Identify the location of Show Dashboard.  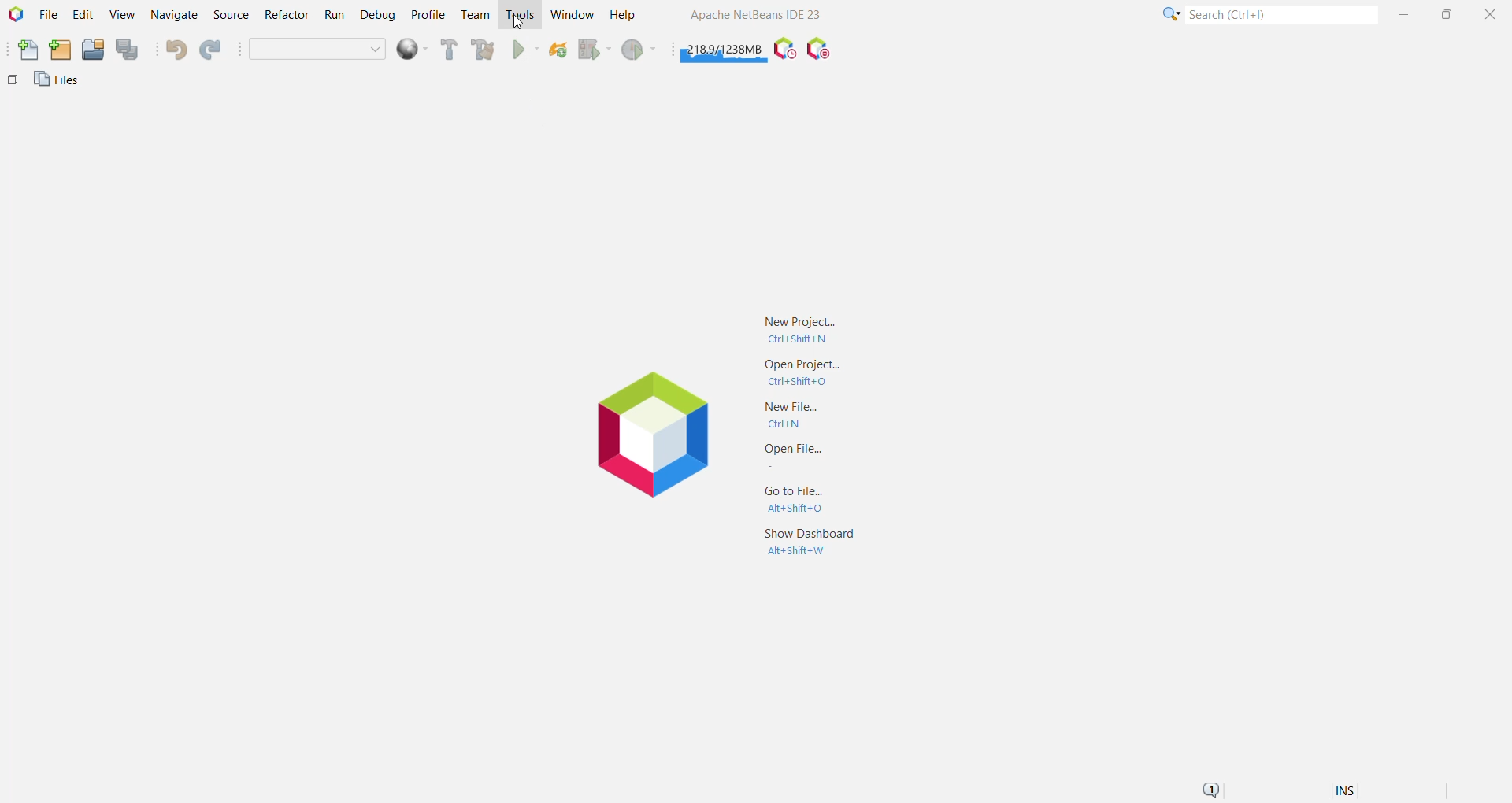
(810, 542).